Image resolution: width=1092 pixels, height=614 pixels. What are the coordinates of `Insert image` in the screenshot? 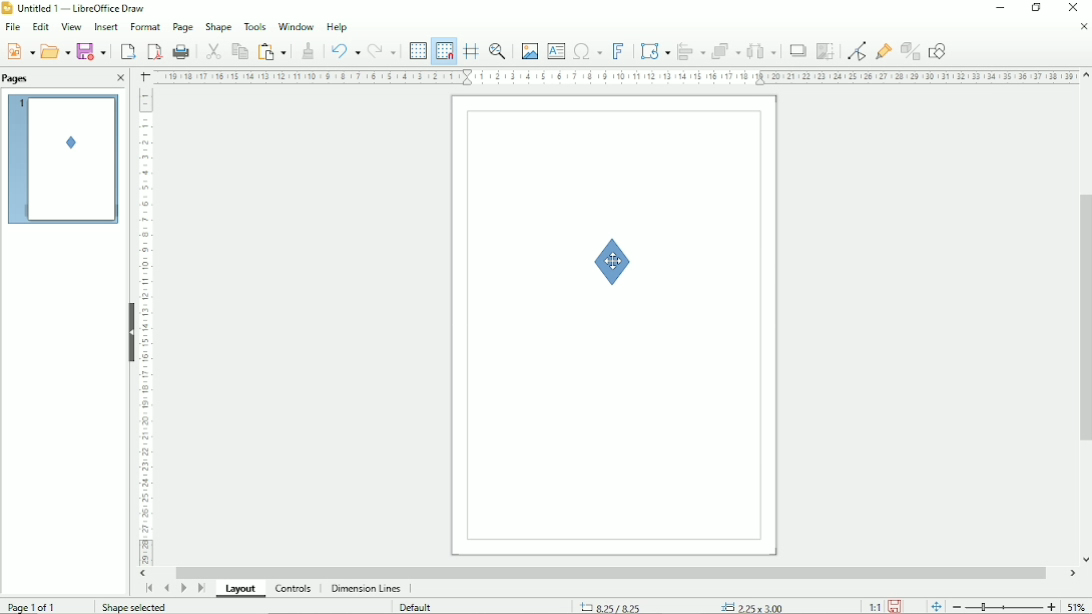 It's located at (528, 51).